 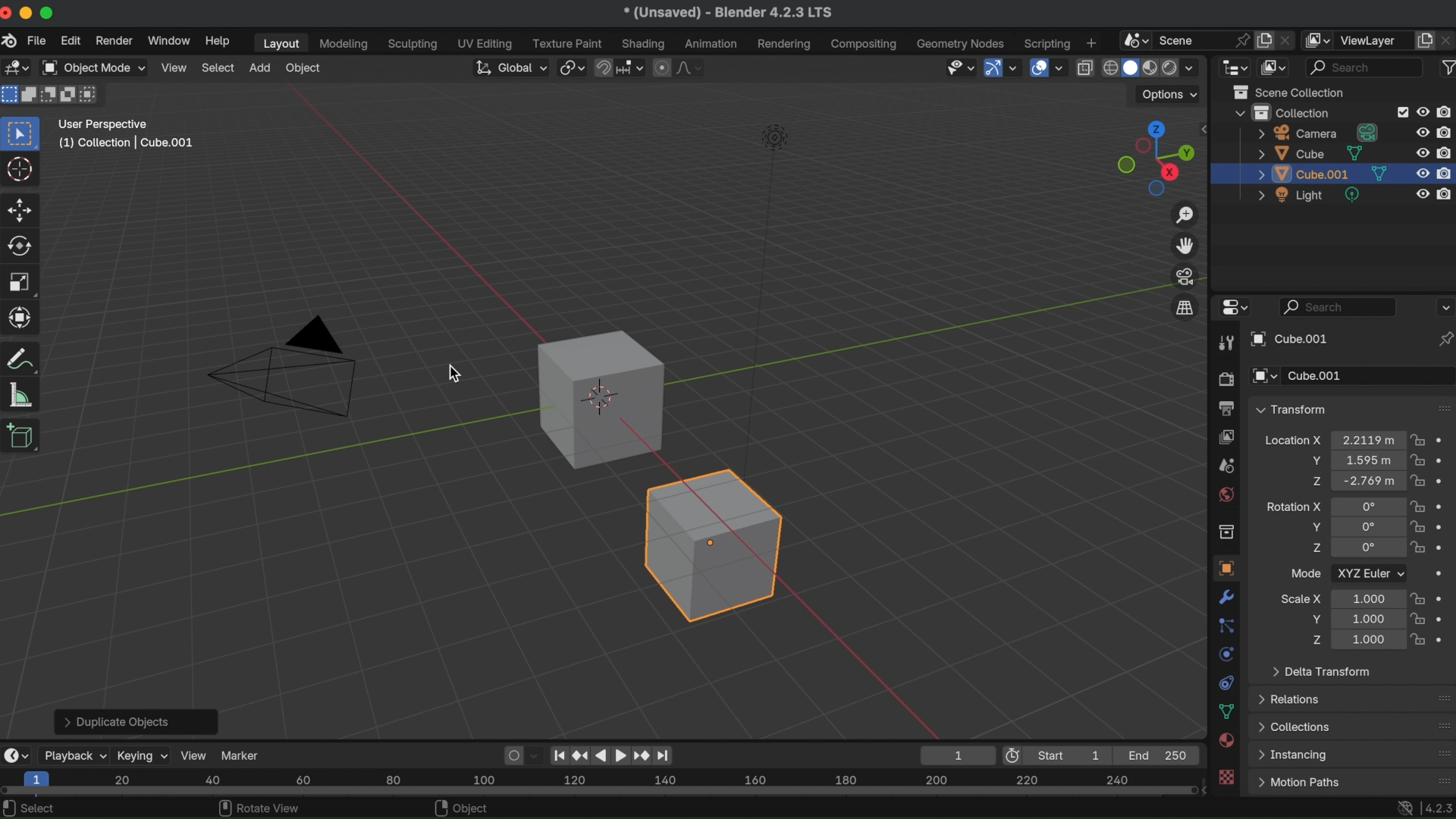 I want to click on Euler rotation, so click(x=1367, y=507).